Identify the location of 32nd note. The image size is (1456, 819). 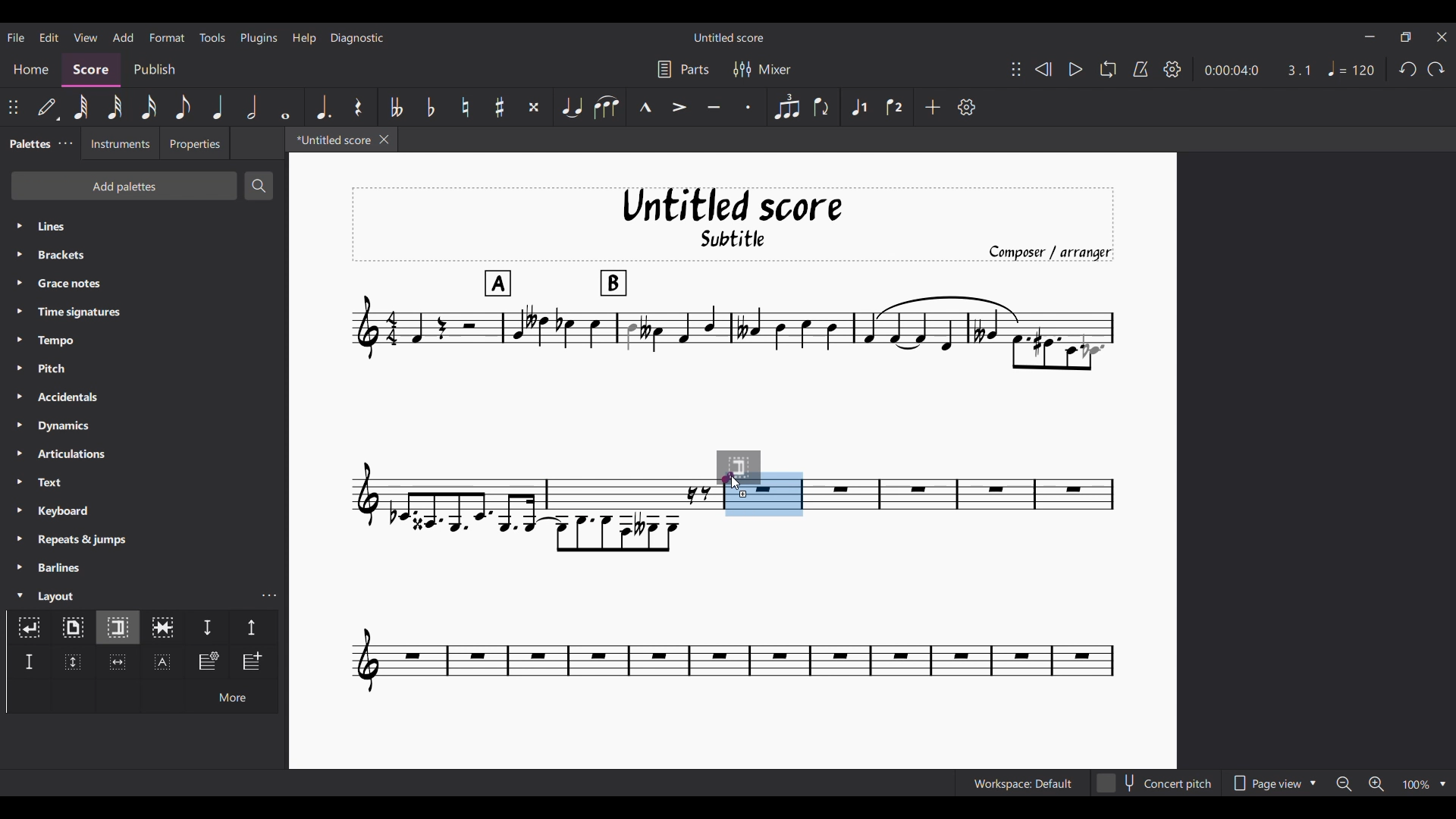
(115, 107).